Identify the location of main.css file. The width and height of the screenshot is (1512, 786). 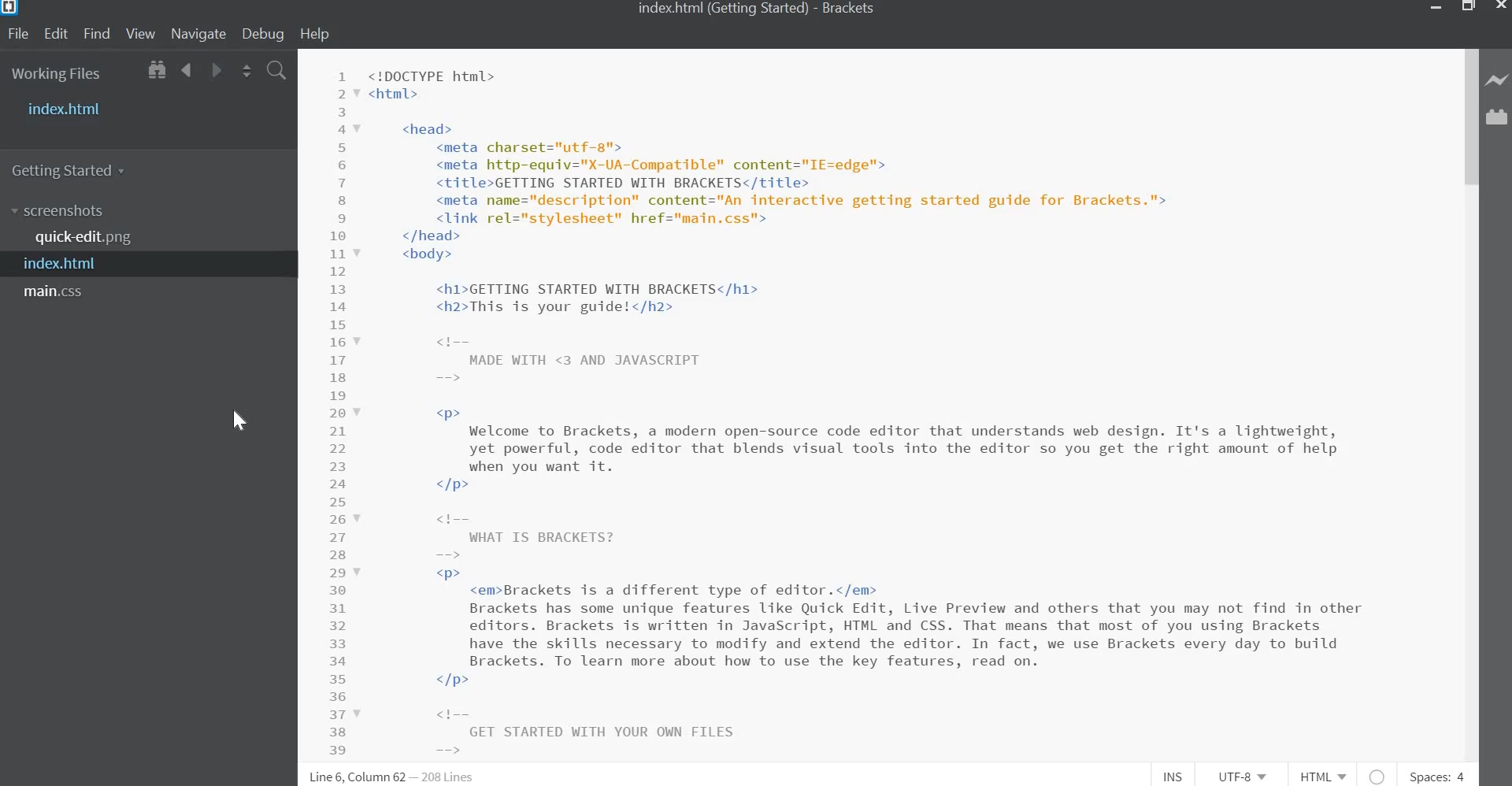
(58, 292).